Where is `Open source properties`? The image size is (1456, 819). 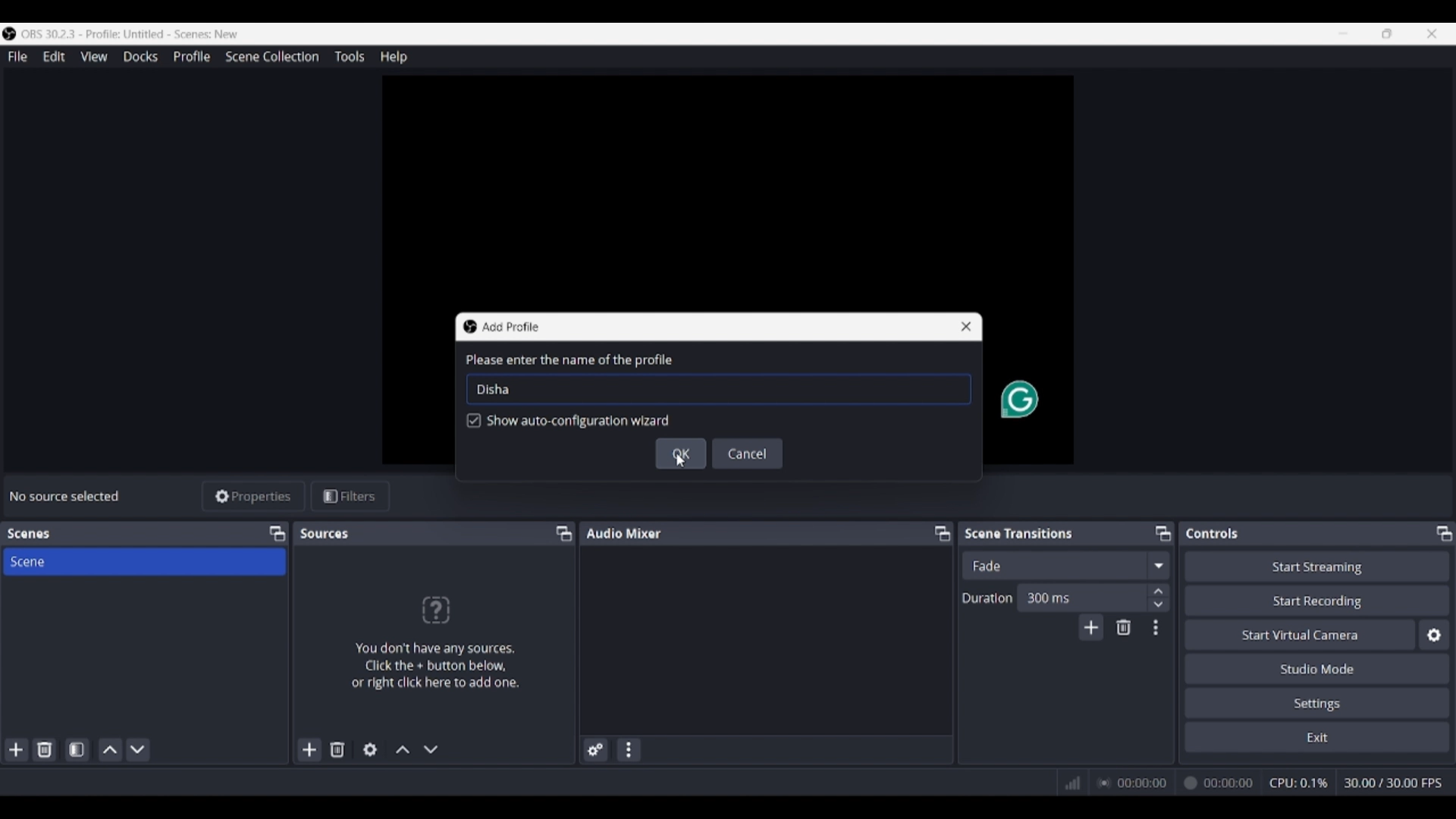
Open source properties is located at coordinates (370, 750).